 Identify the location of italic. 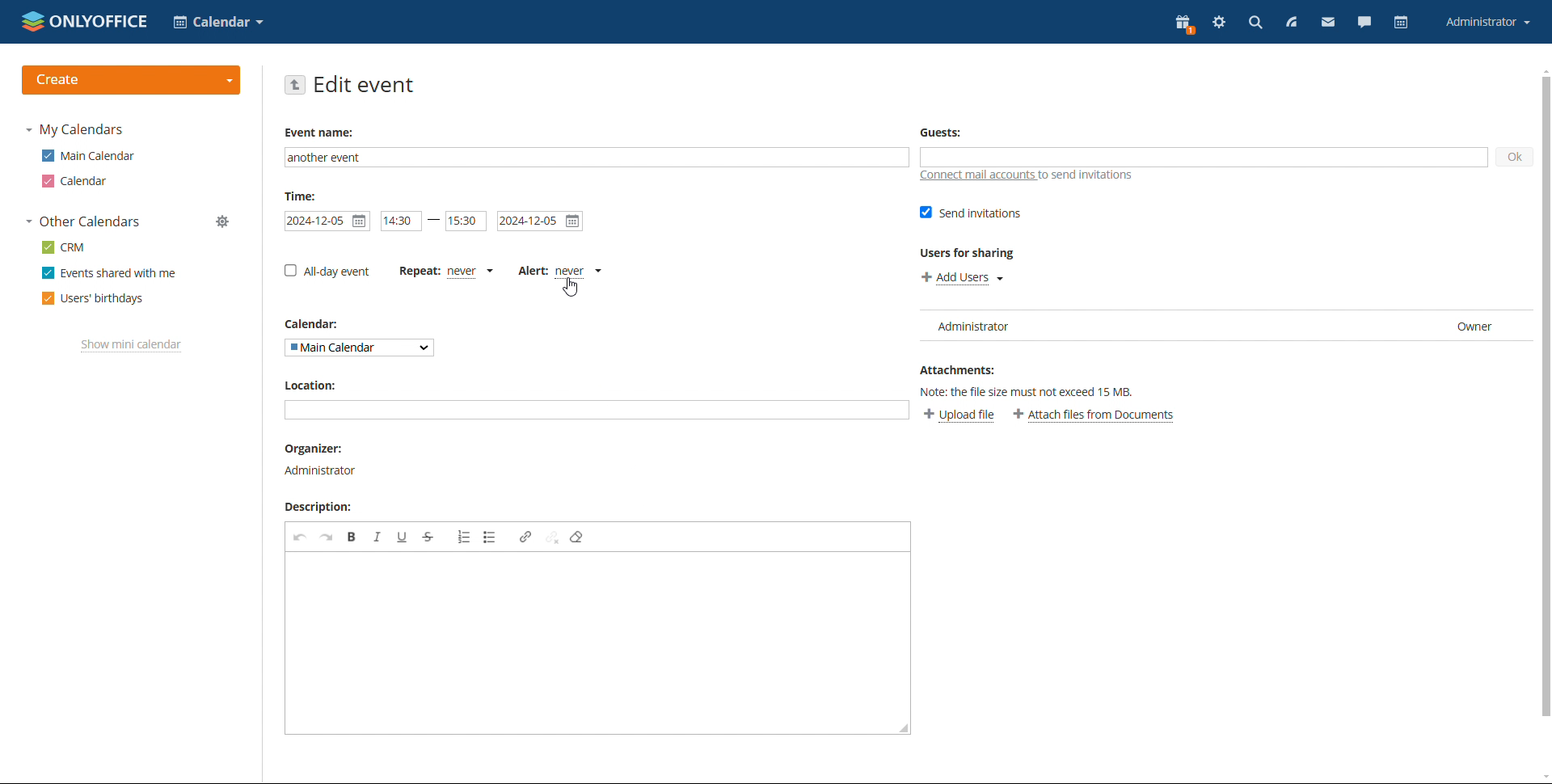
(377, 537).